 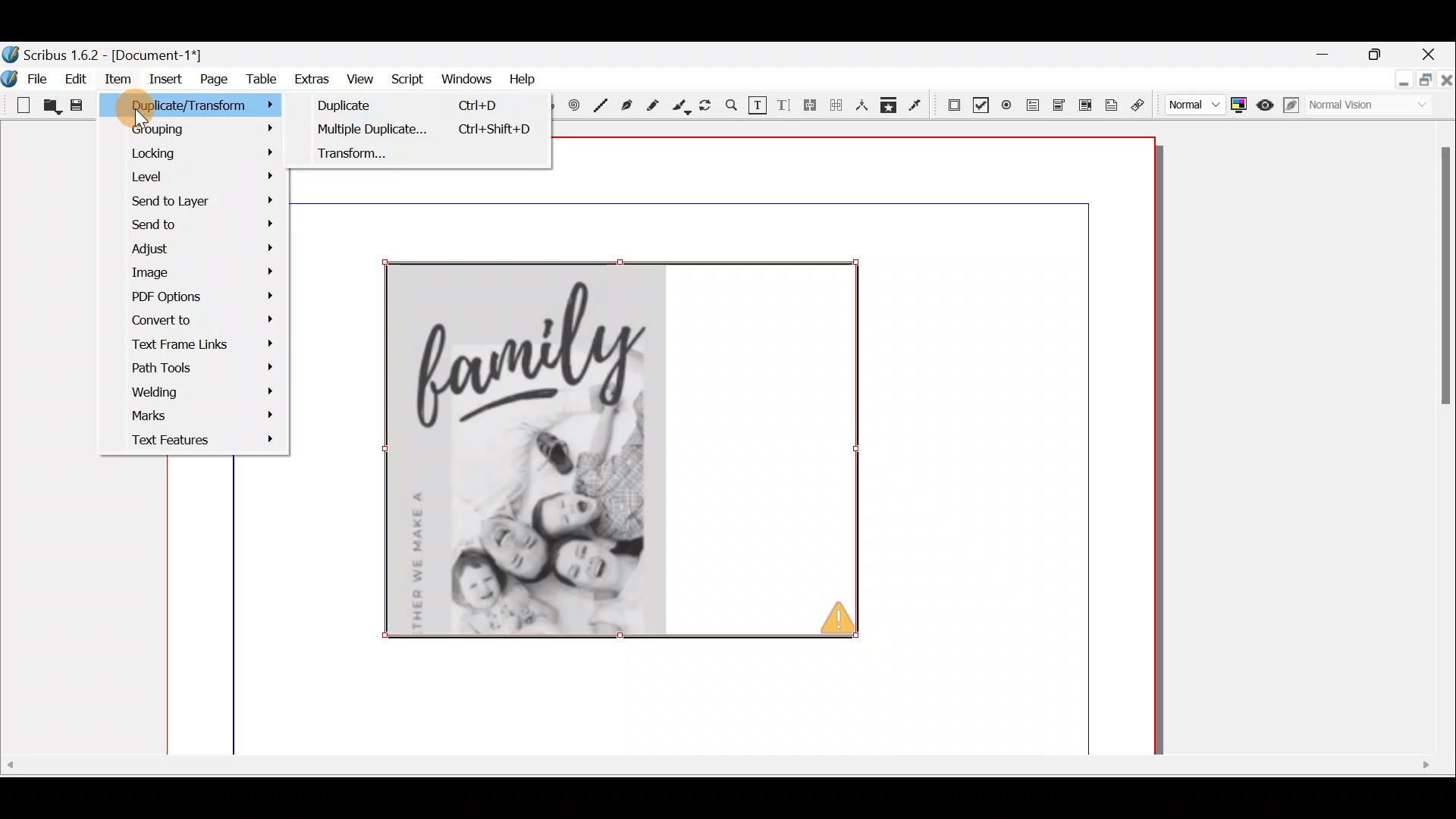 What do you see at coordinates (202, 393) in the screenshot?
I see `Welding` at bounding box center [202, 393].